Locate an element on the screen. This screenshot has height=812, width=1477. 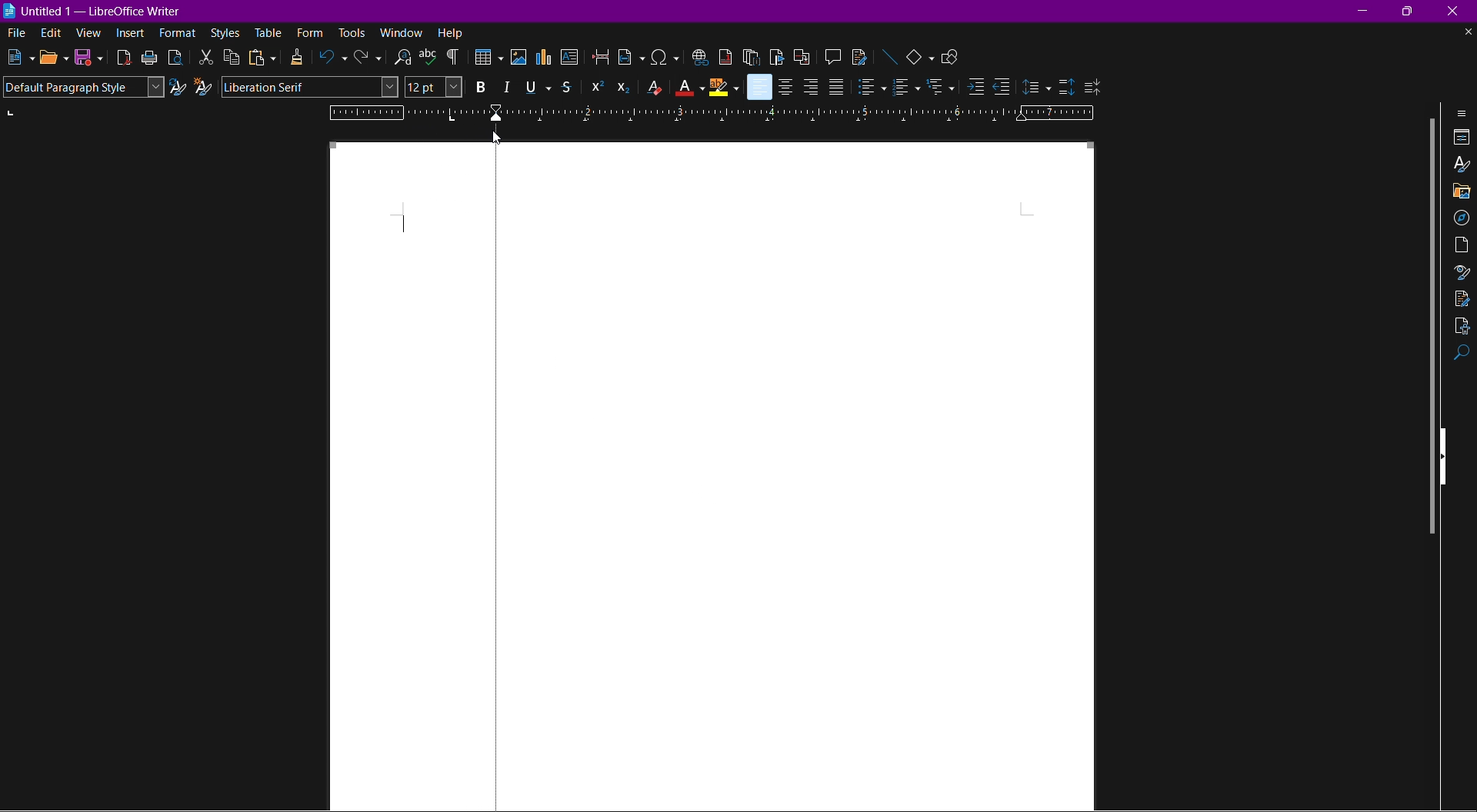
Justified is located at coordinates (836, 87).